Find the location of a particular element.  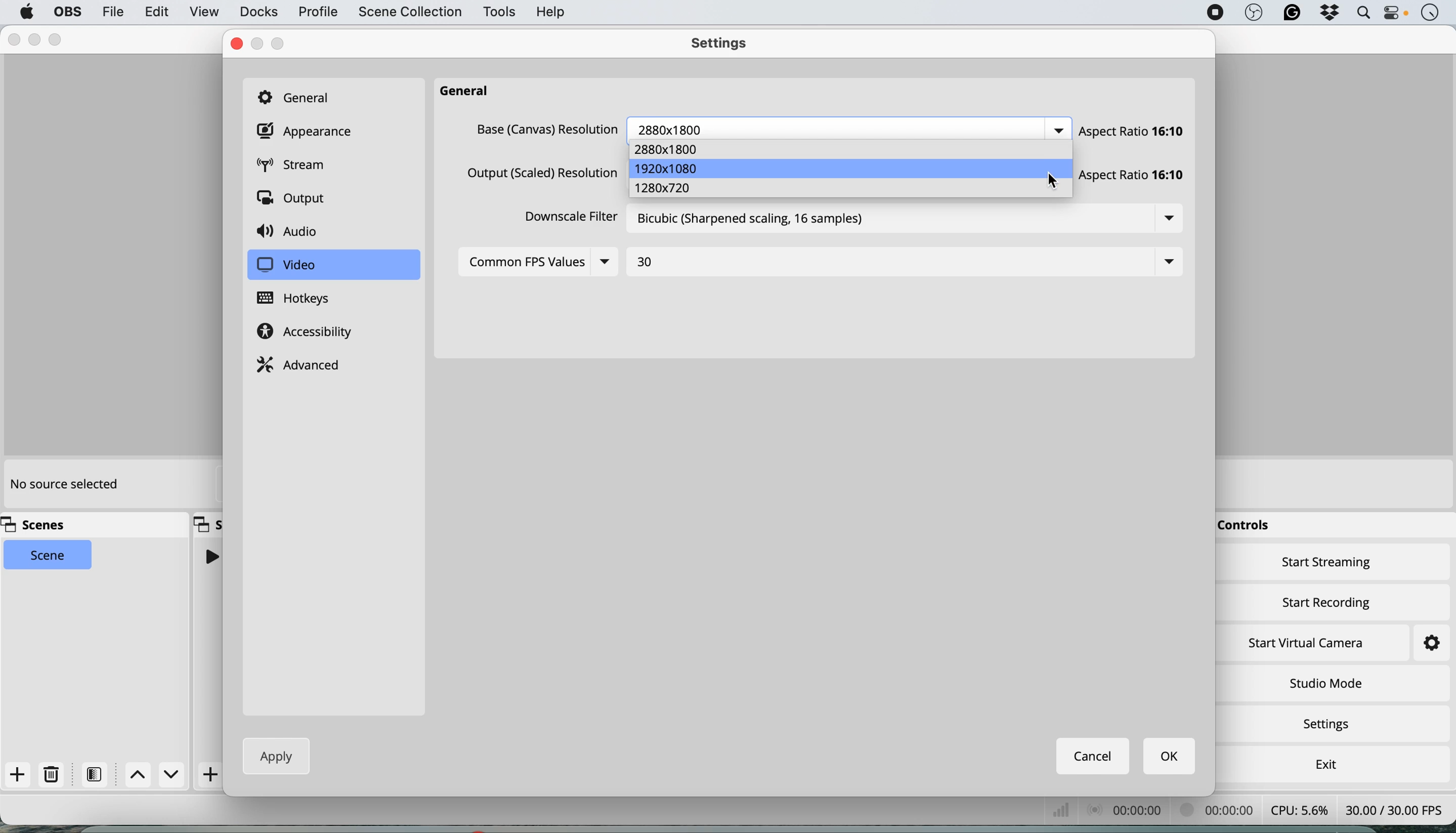

start recording is located at coordinates (1327, 600).